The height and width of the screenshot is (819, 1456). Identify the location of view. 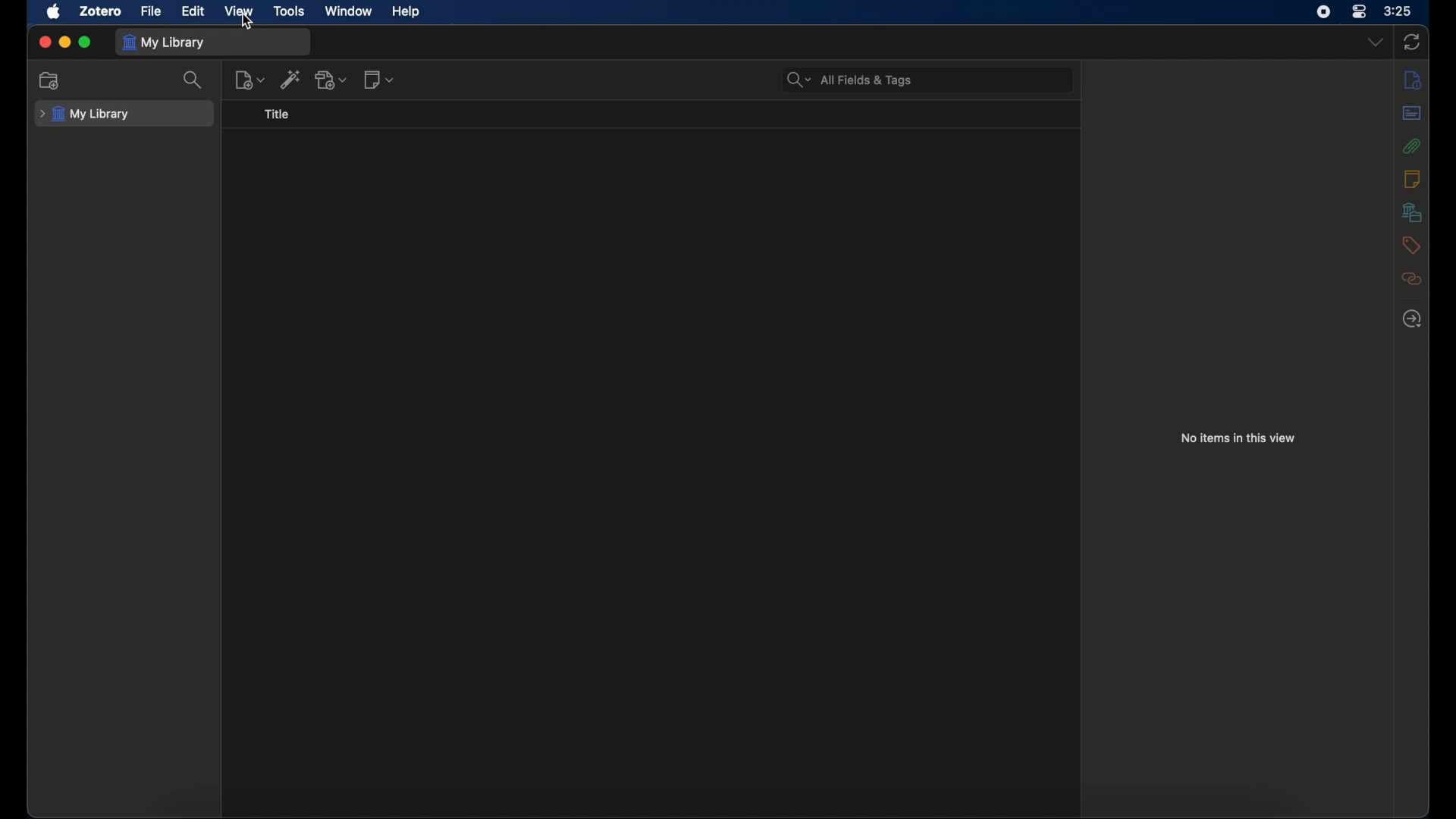
(238, 11).